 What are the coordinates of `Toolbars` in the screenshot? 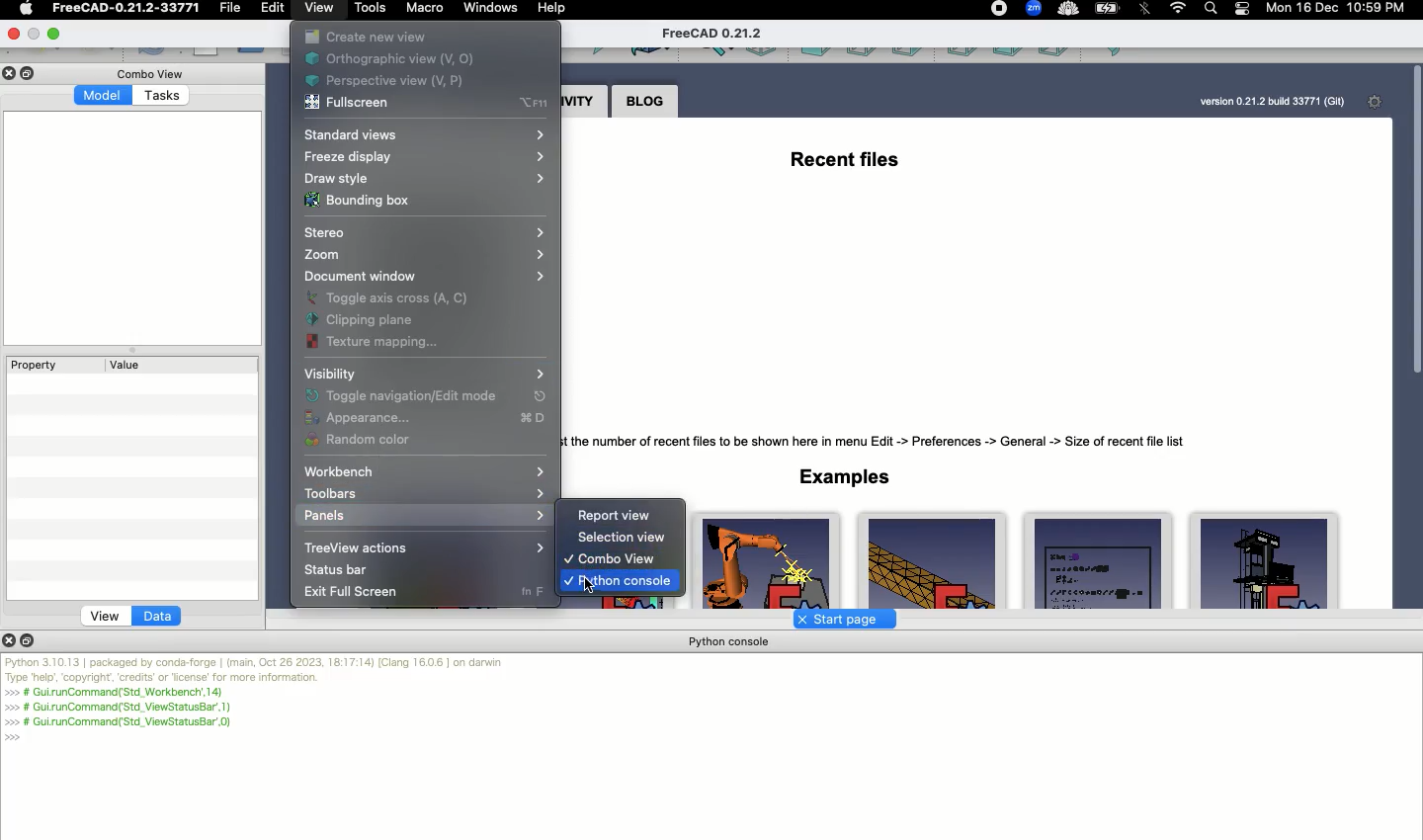 It's located at (425, 494).